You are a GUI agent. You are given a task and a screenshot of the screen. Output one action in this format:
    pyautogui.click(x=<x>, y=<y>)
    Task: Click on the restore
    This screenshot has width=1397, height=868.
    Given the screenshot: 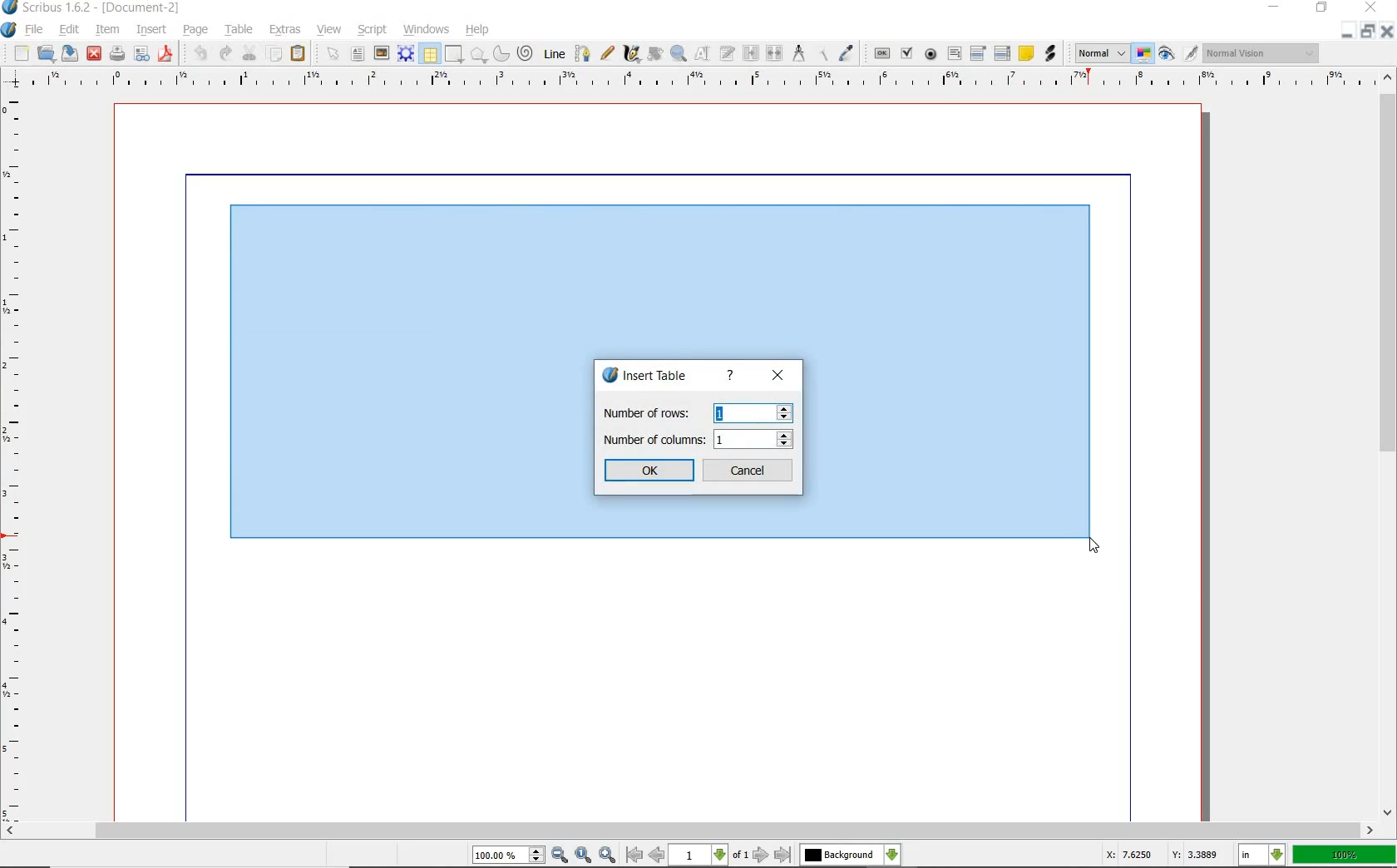 What is the action you would take?
    pyautogui.click(x=1322, y=8)
    